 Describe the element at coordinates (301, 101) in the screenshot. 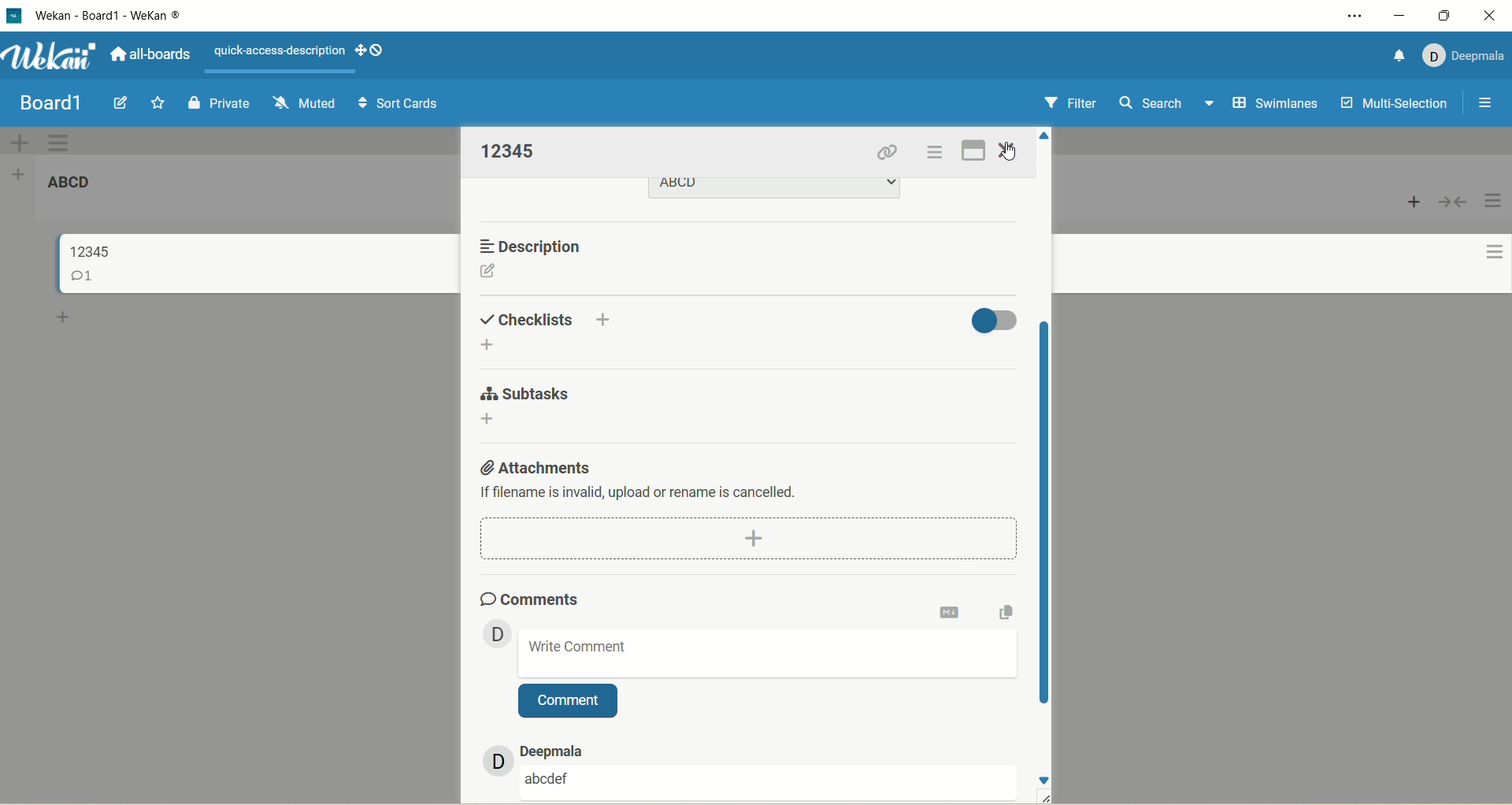

I see `muted` at that location.